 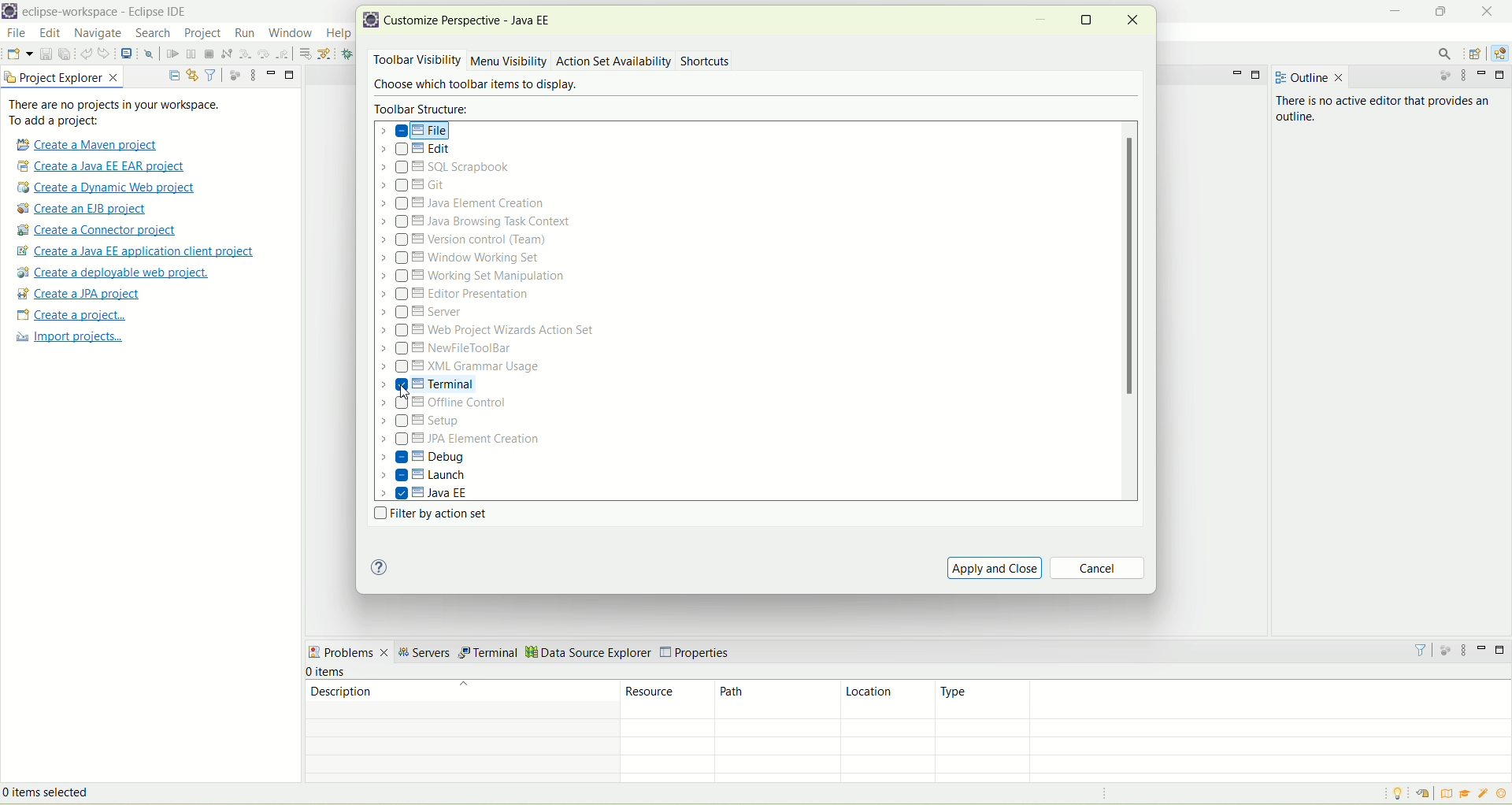 I want to click on disconnect, so click(x=226, y=54).